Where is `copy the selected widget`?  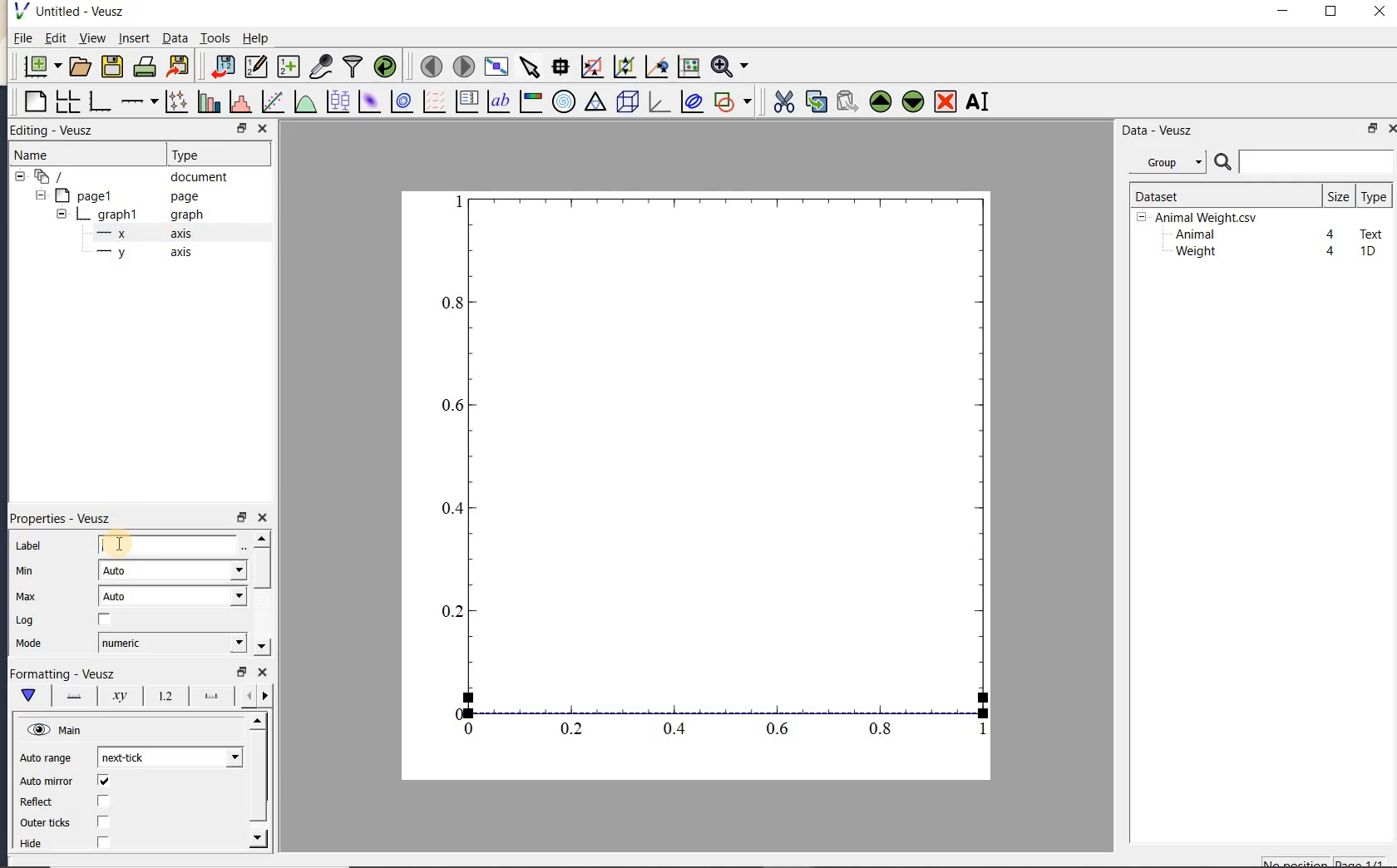 copy the selected widget is located at coordinates (814, 101).